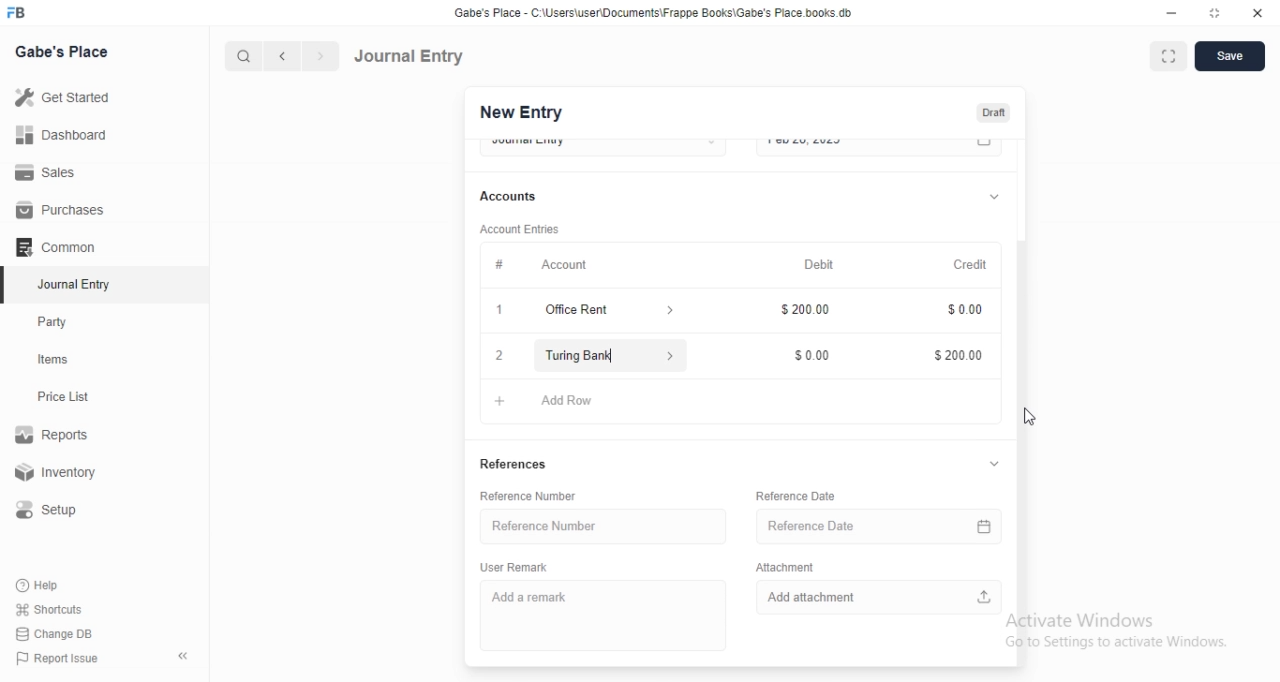  I want to click on Reference Date, so click(873, 527).